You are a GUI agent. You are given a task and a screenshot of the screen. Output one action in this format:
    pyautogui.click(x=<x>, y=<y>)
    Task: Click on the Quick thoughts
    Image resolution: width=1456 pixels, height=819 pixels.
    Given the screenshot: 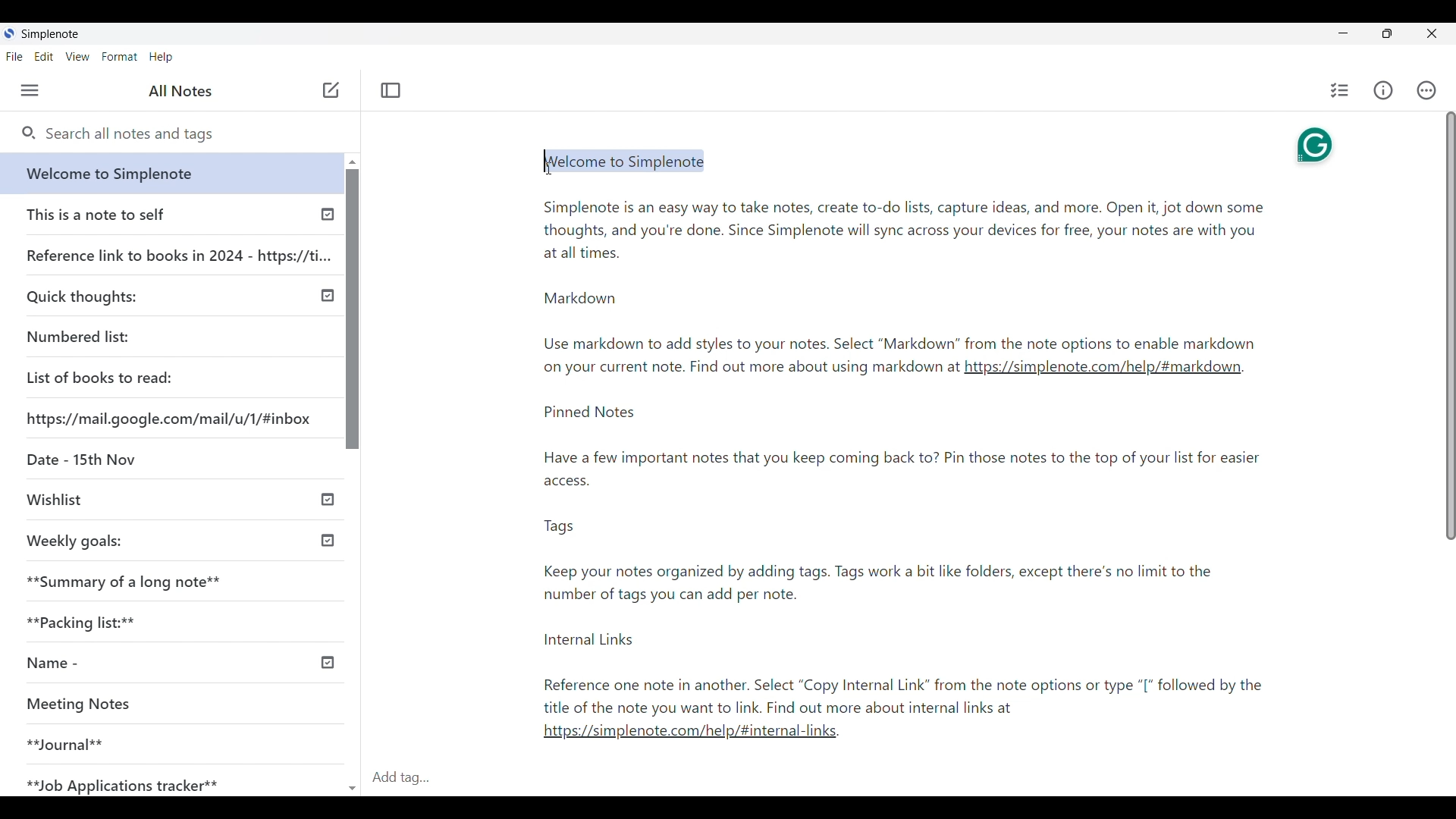 What is the action you would take?
    pyautogui.click(x=82, y=297)
    